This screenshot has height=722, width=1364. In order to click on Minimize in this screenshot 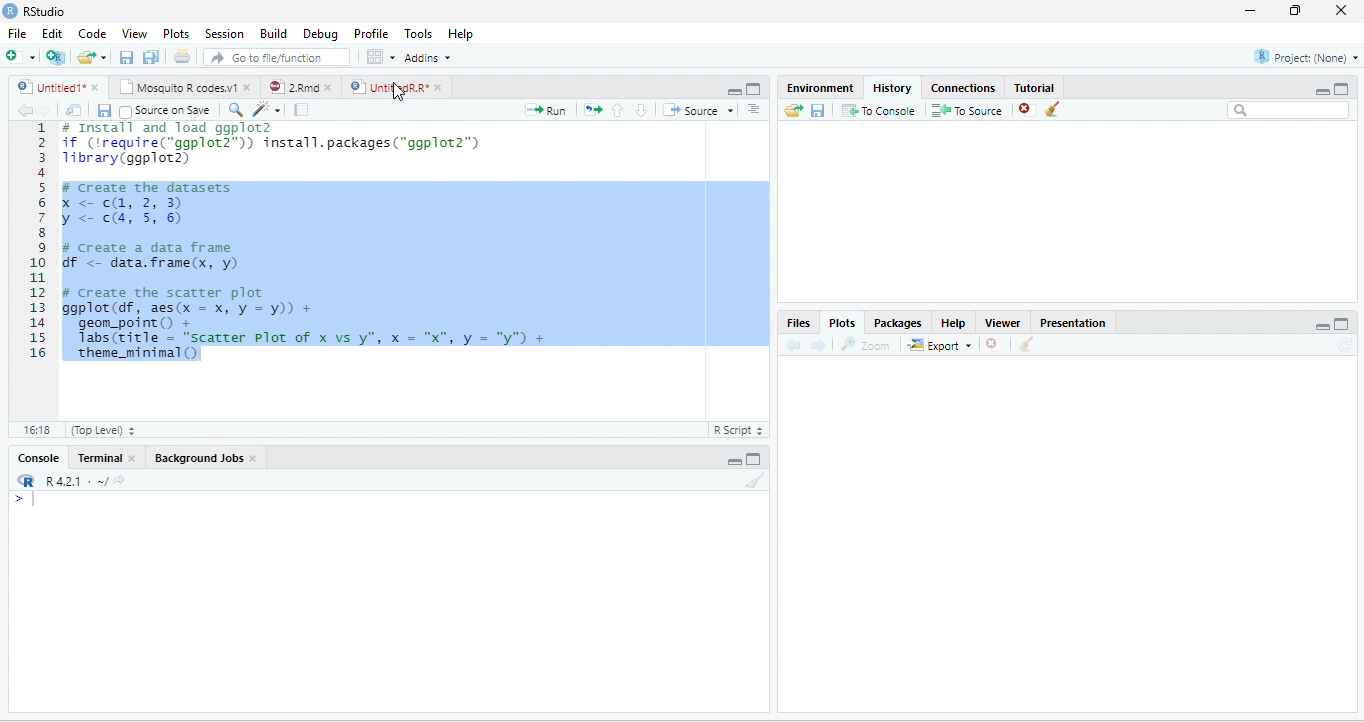, I will do `click(733, 461)`.